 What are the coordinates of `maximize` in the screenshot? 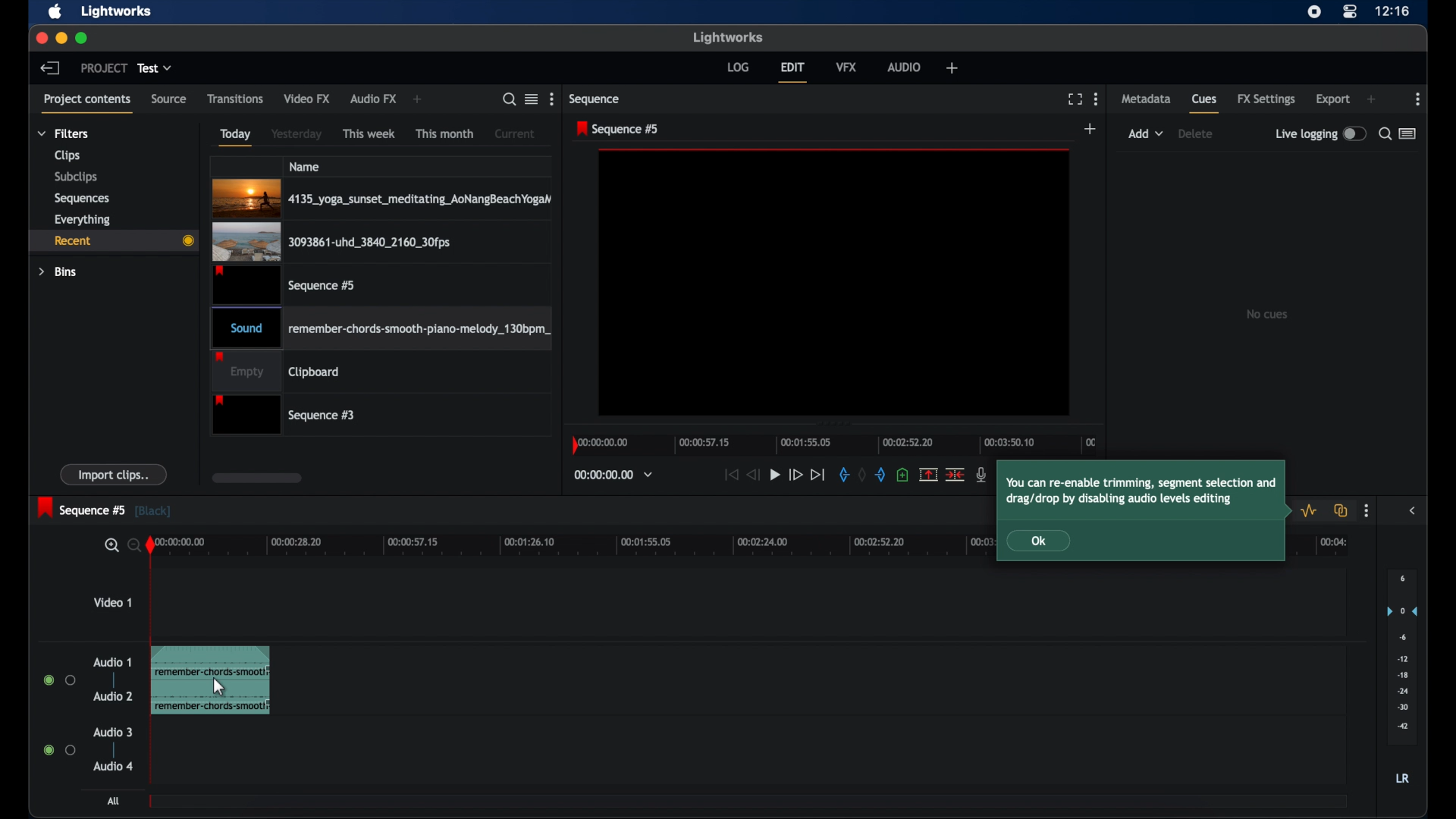 It's located at (83, 38).